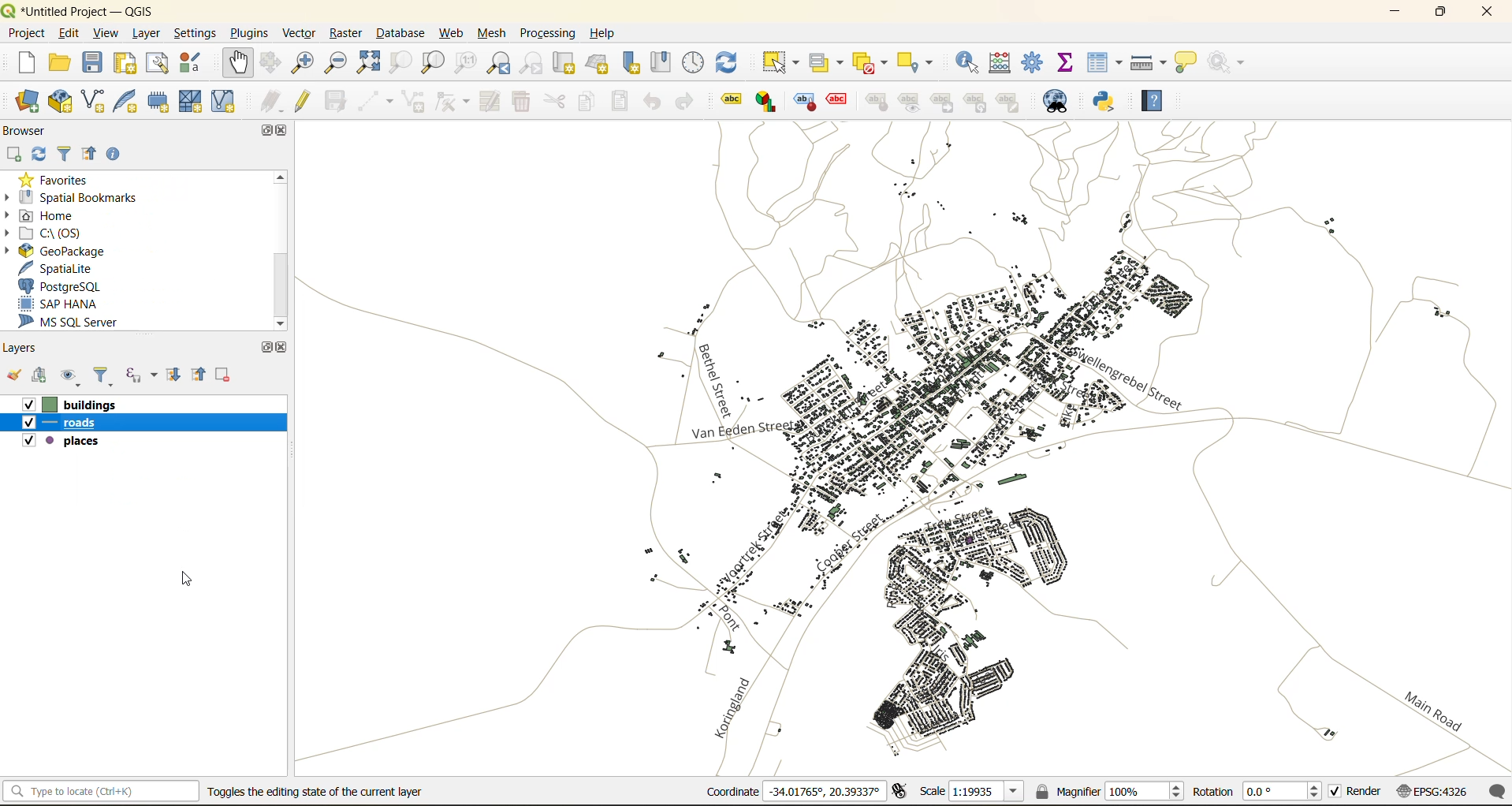 This screenshot has width=1512, height=806. I want to click on digitize, so click(374, 99).